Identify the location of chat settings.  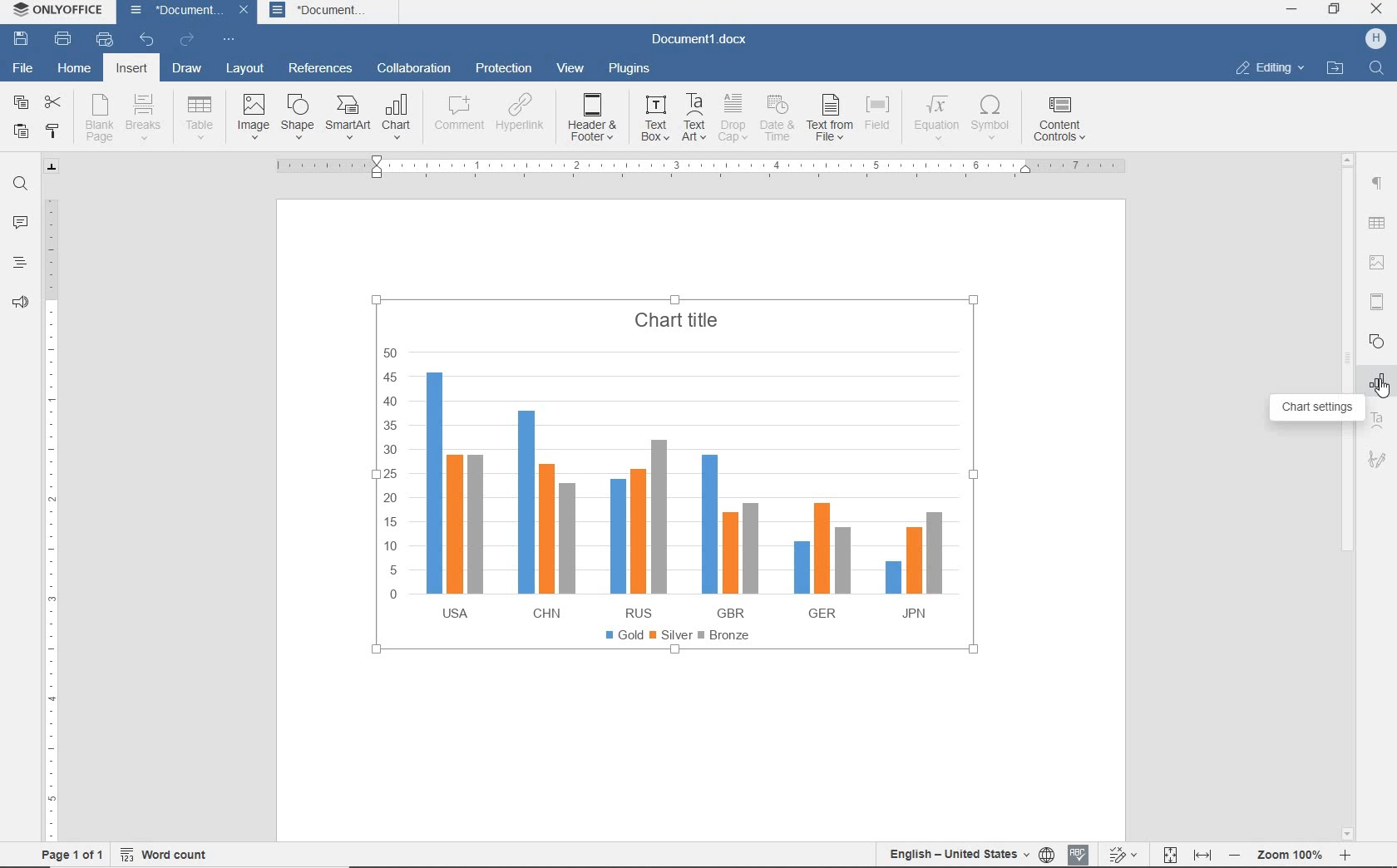
(1318, 407).